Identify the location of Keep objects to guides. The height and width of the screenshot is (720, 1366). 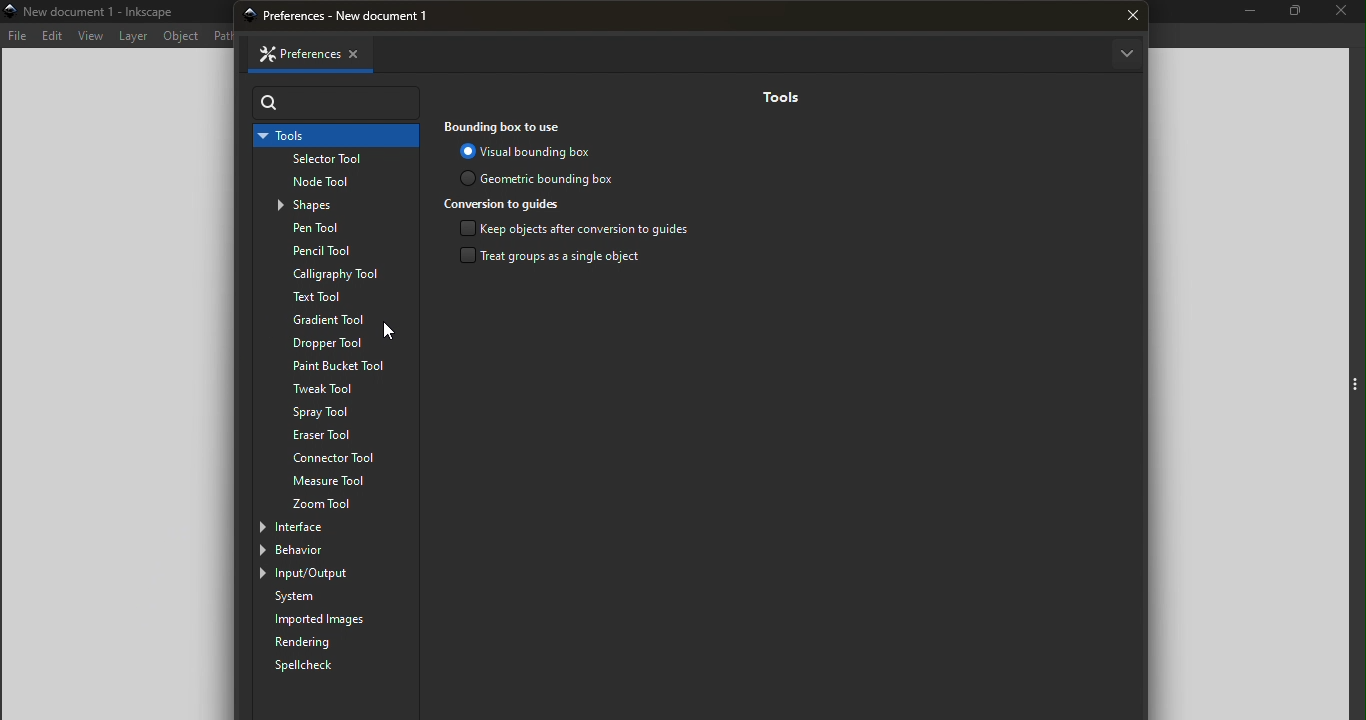
(575, 229).